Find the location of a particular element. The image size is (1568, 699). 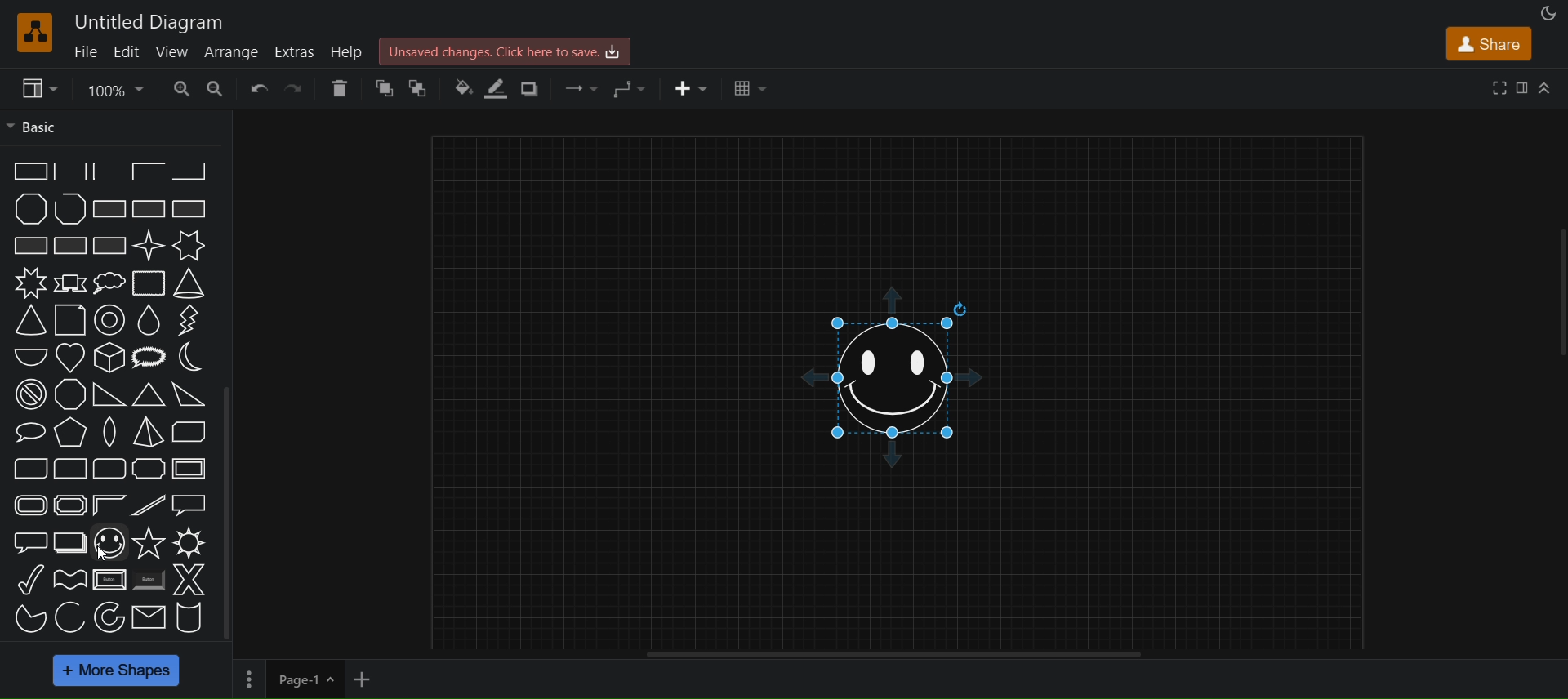

drop  is located at coordinates (152, 322).